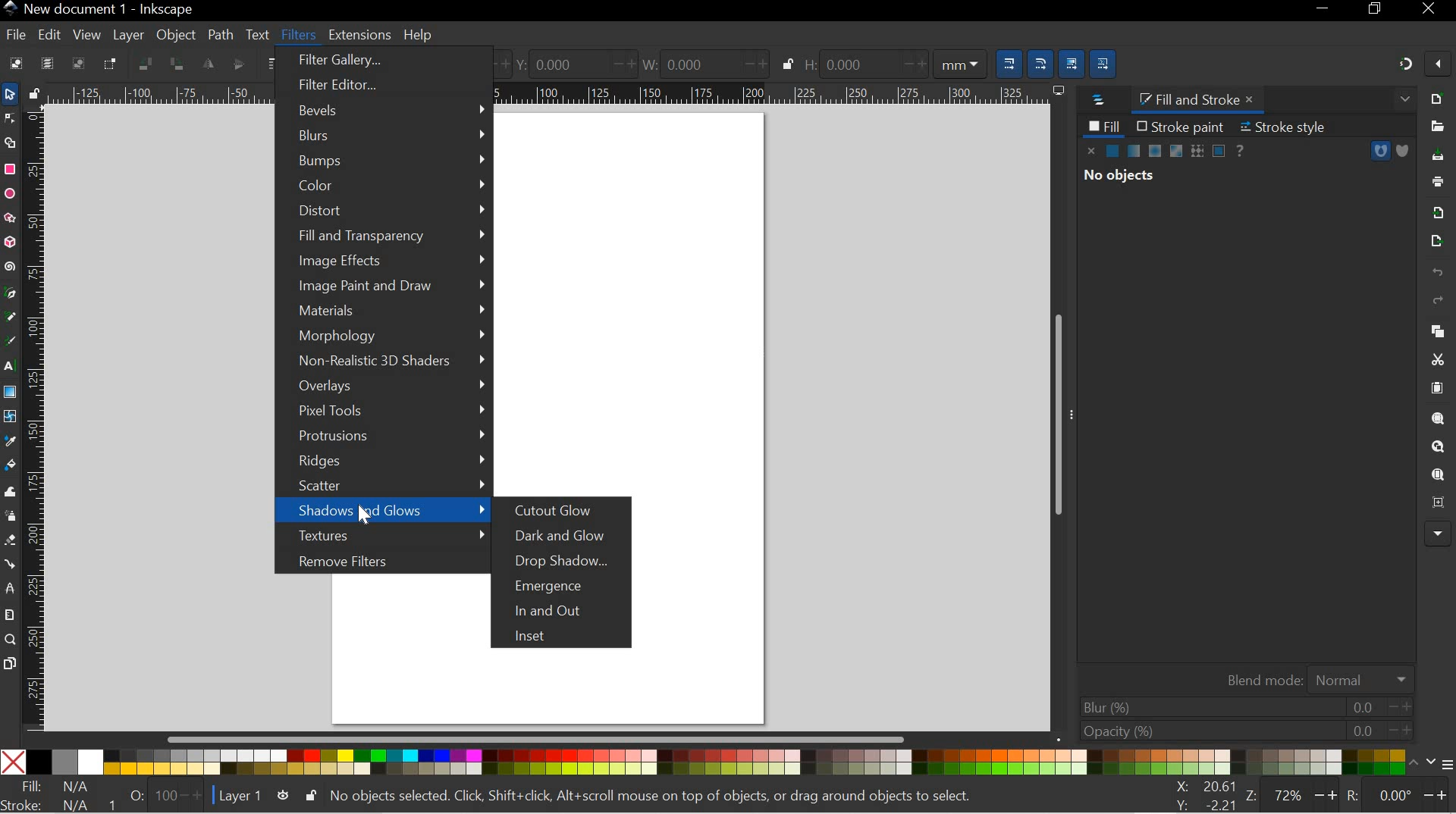  Describe the element at coordinates (1180, 126) in the screenshot. I see `STROKE PAINT` at that location.